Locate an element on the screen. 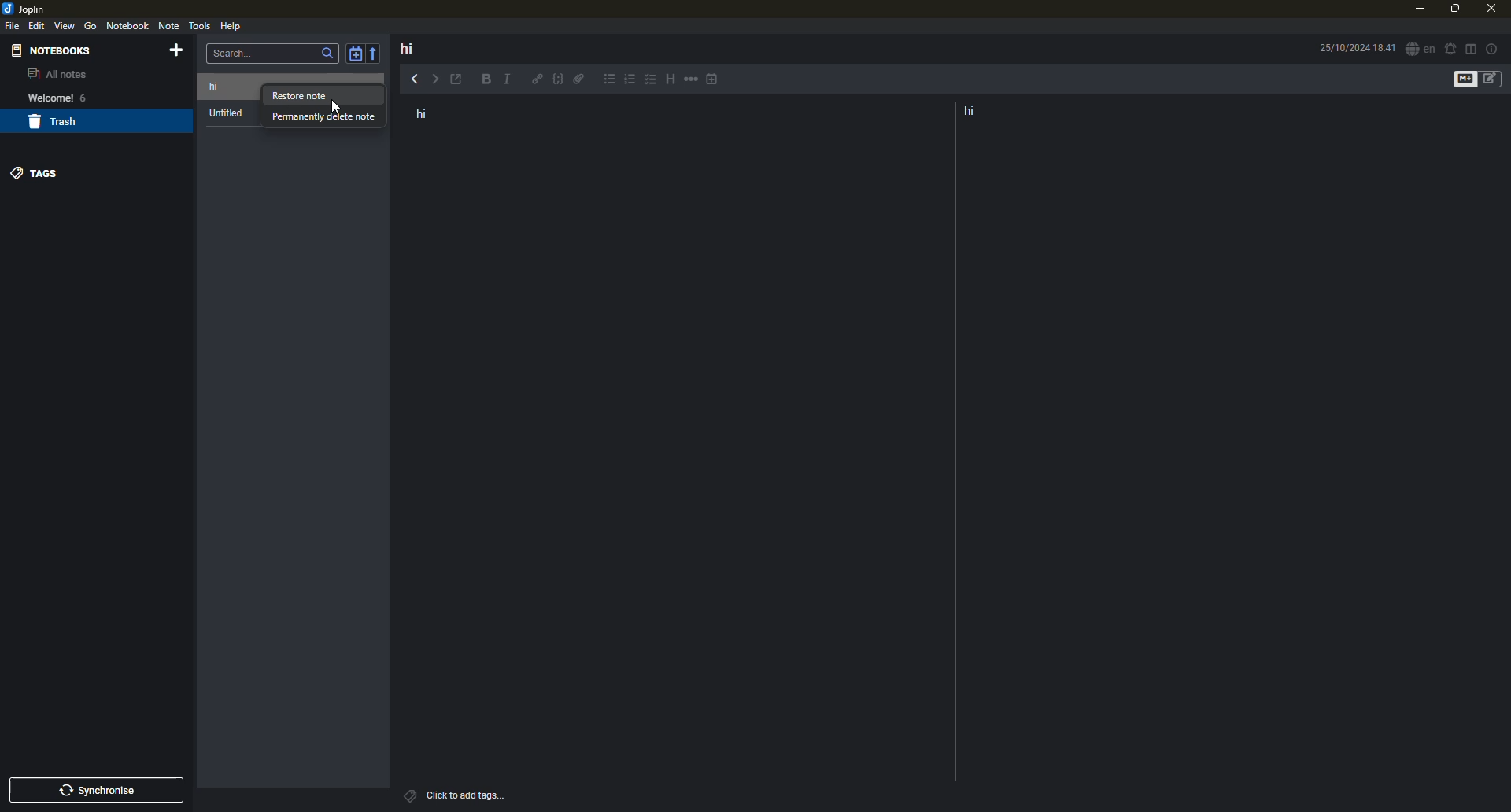 Image resolution: width=1511 pixels, height=812 pixels. edit is located at coordinates (38, 25).